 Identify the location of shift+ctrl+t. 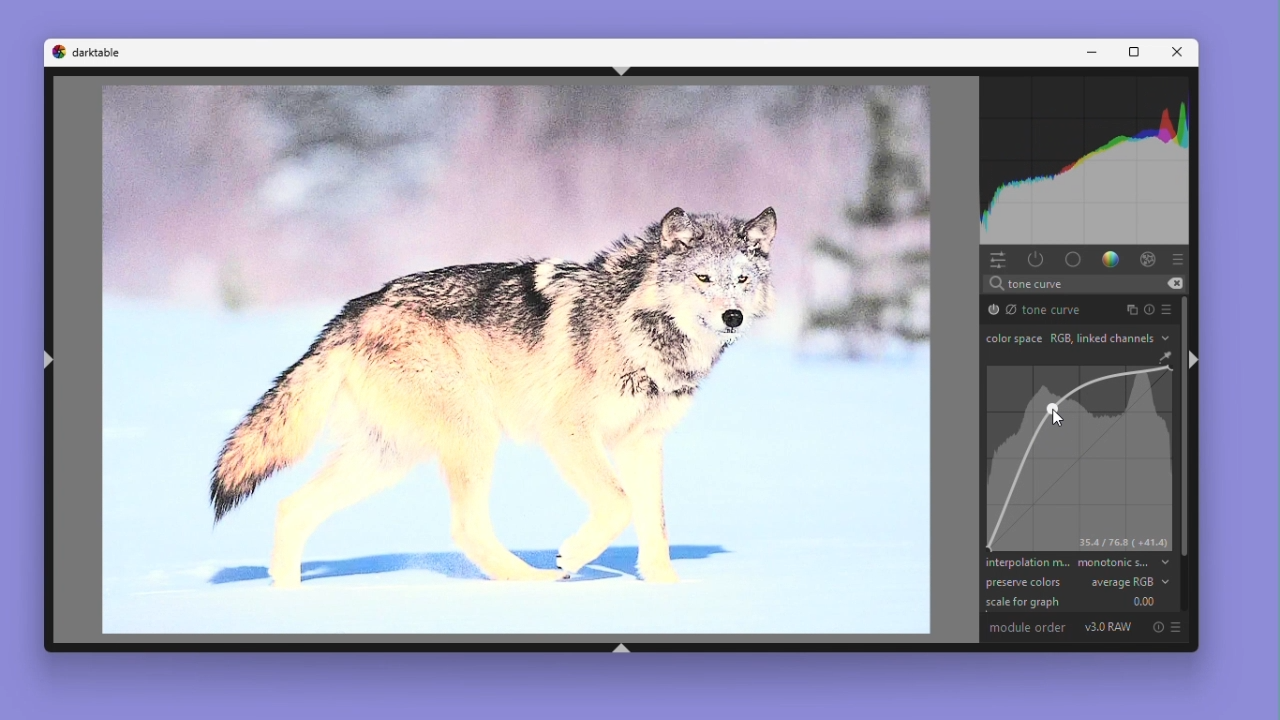
(619, 71).